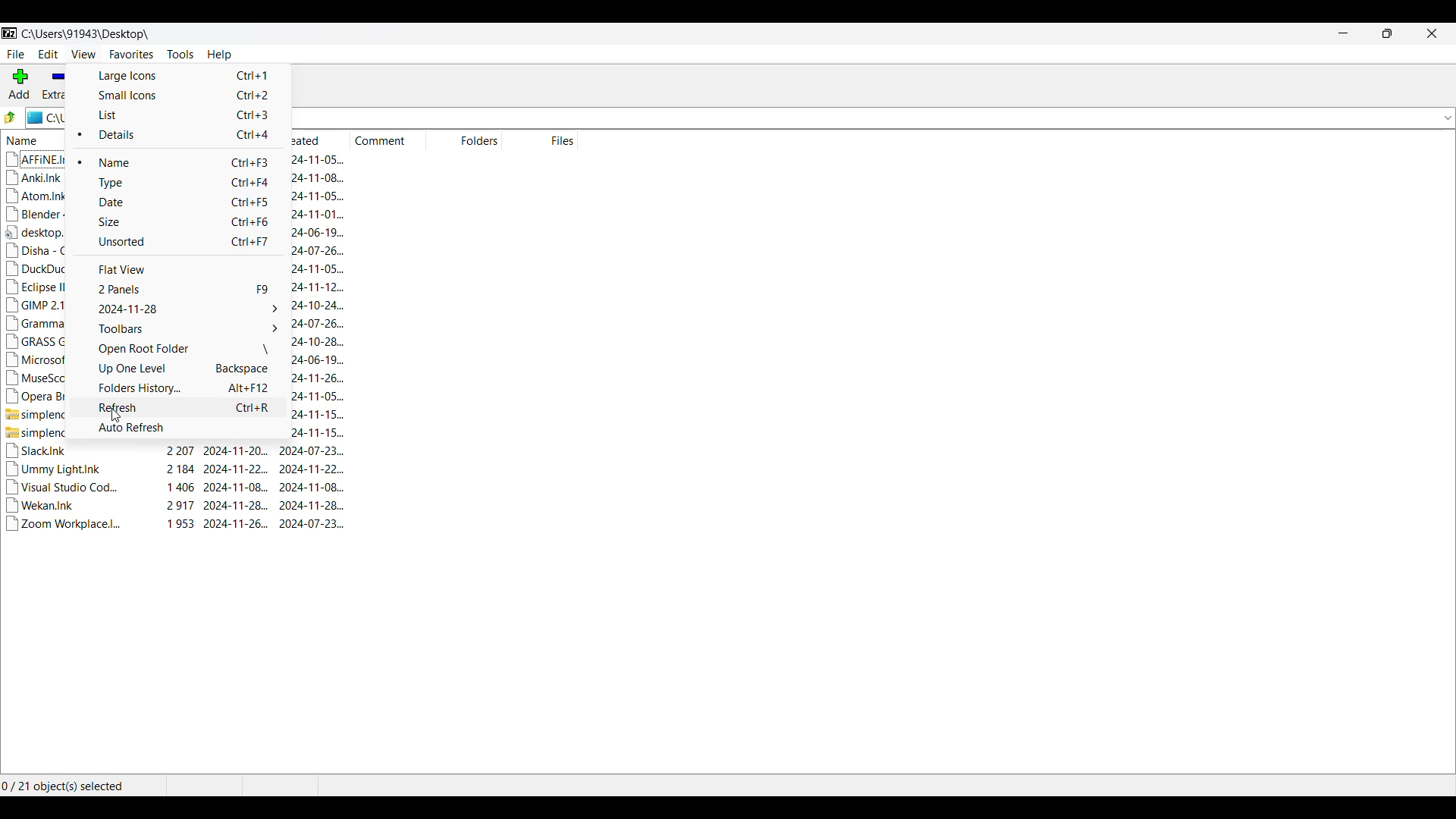  What do you see at coordinates (177, 369) in the screenshot?
I see `Up one level` at bounding box center [177, 369].